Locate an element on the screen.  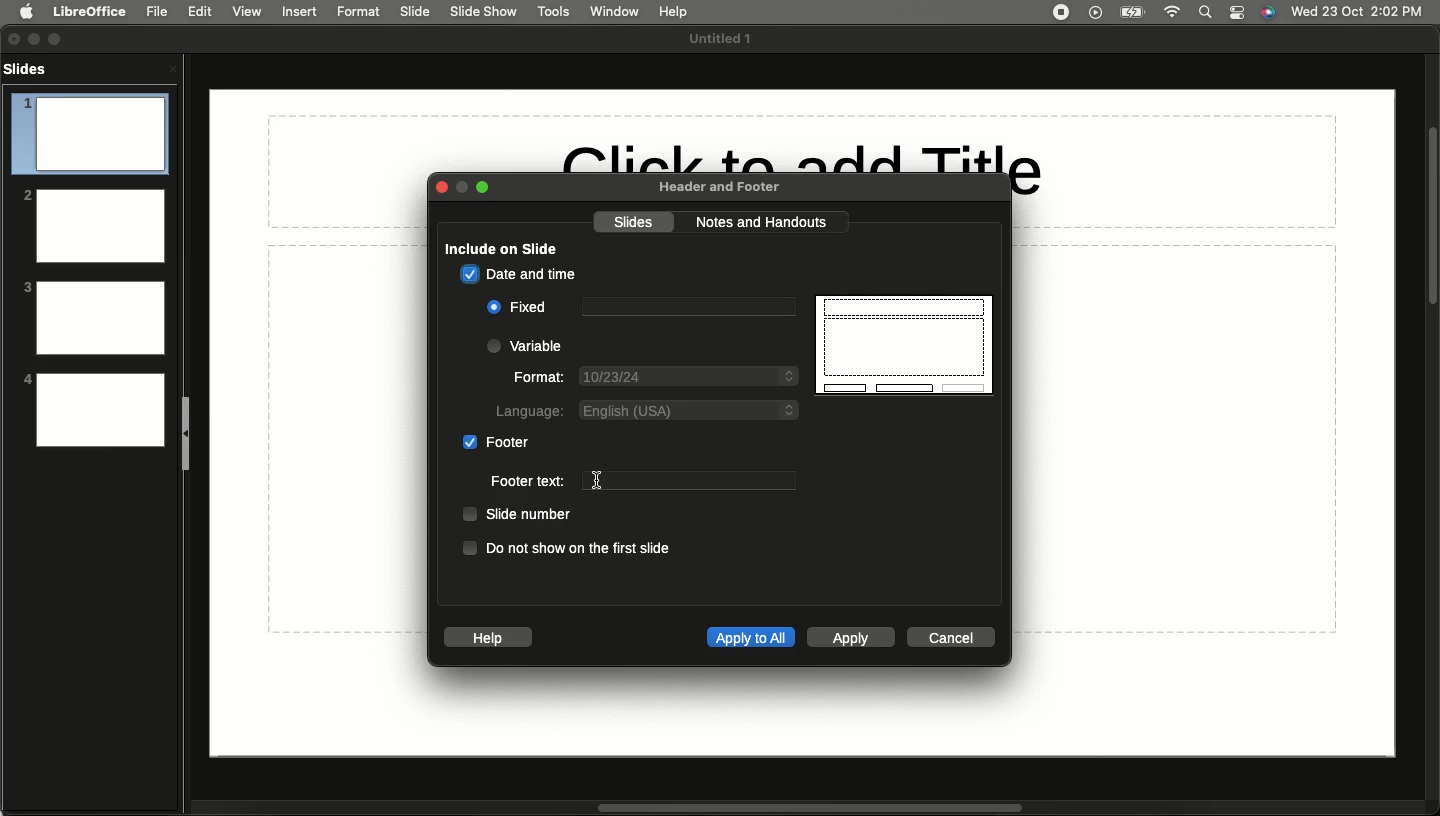
Apple logo is located at coordinates (27, 12).